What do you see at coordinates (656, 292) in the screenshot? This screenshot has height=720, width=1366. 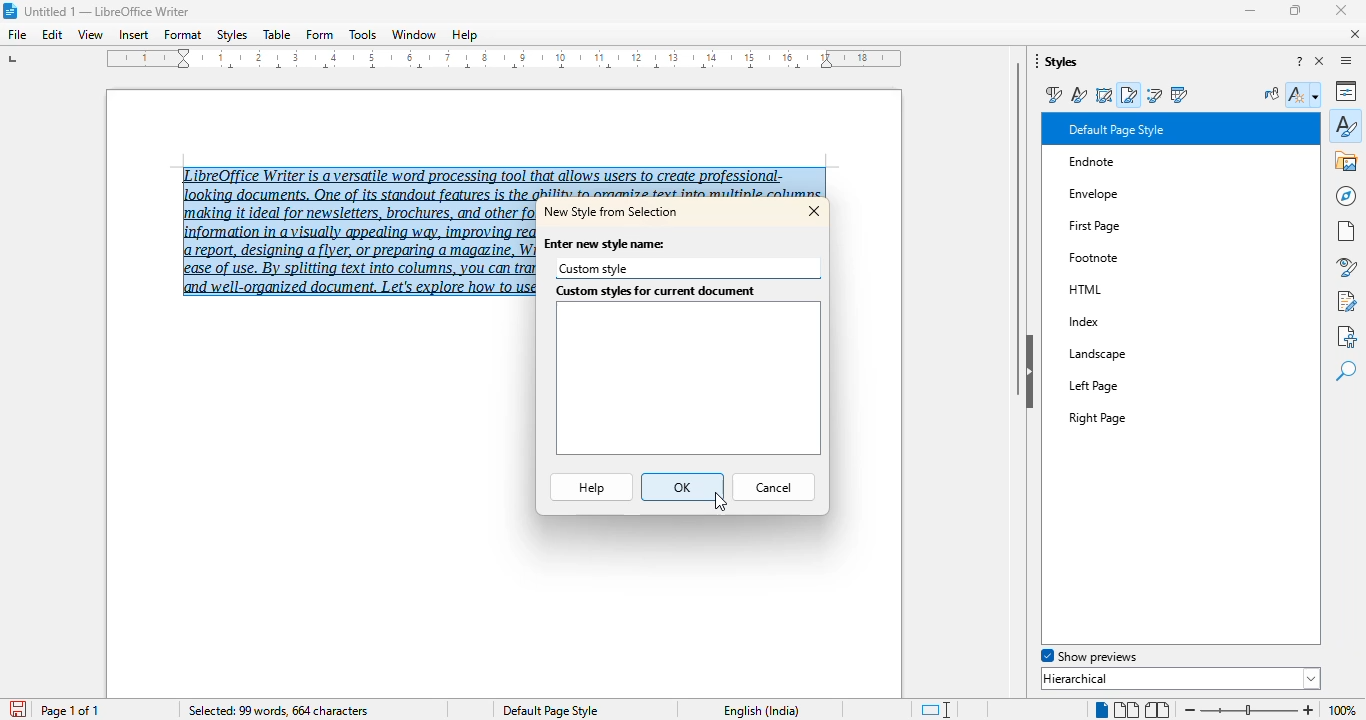 I see `custom styles for current document` at bounding box center [656, 292].